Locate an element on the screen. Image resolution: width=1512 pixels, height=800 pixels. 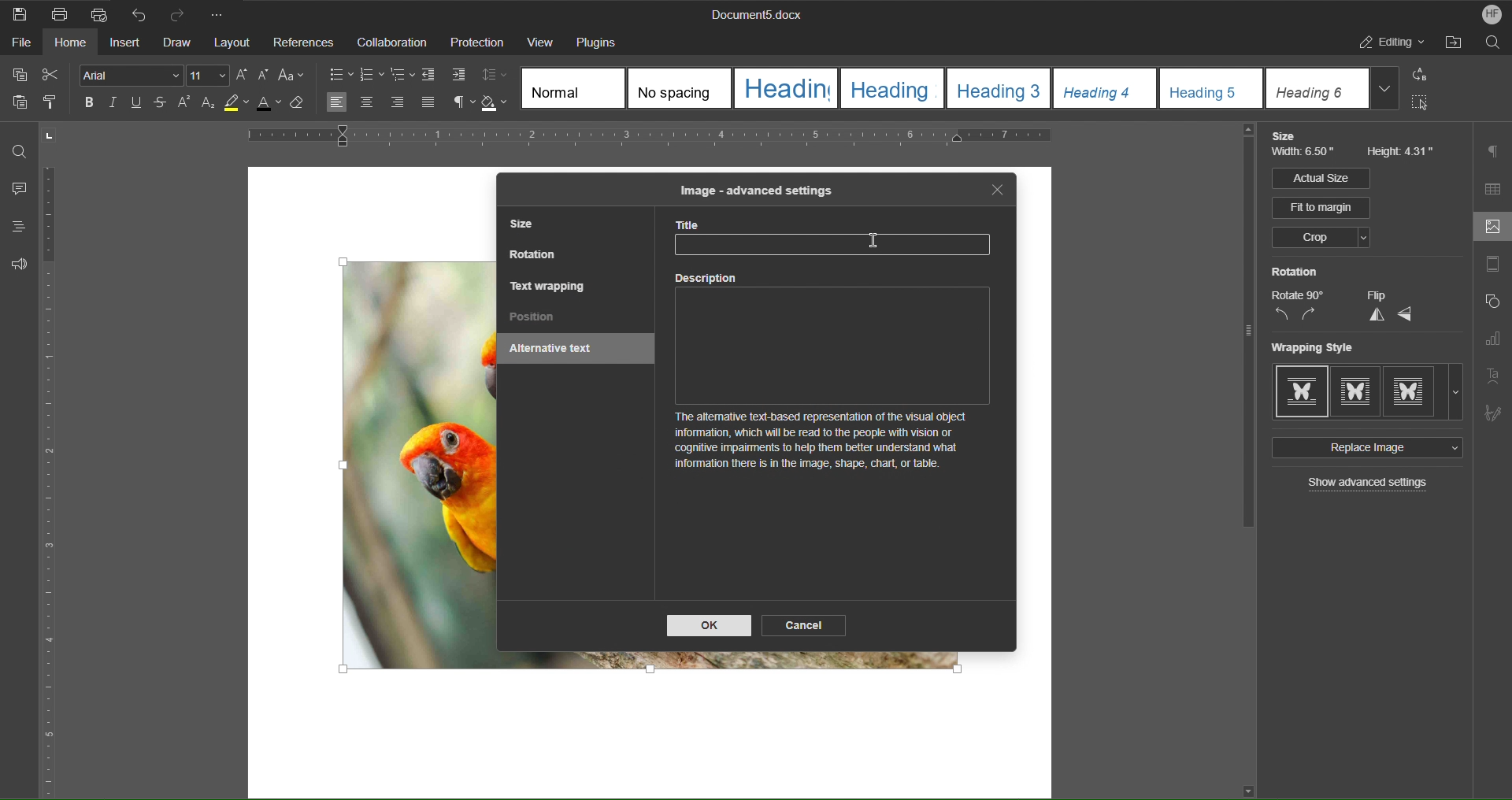
More is located at coordinates (221, 13).